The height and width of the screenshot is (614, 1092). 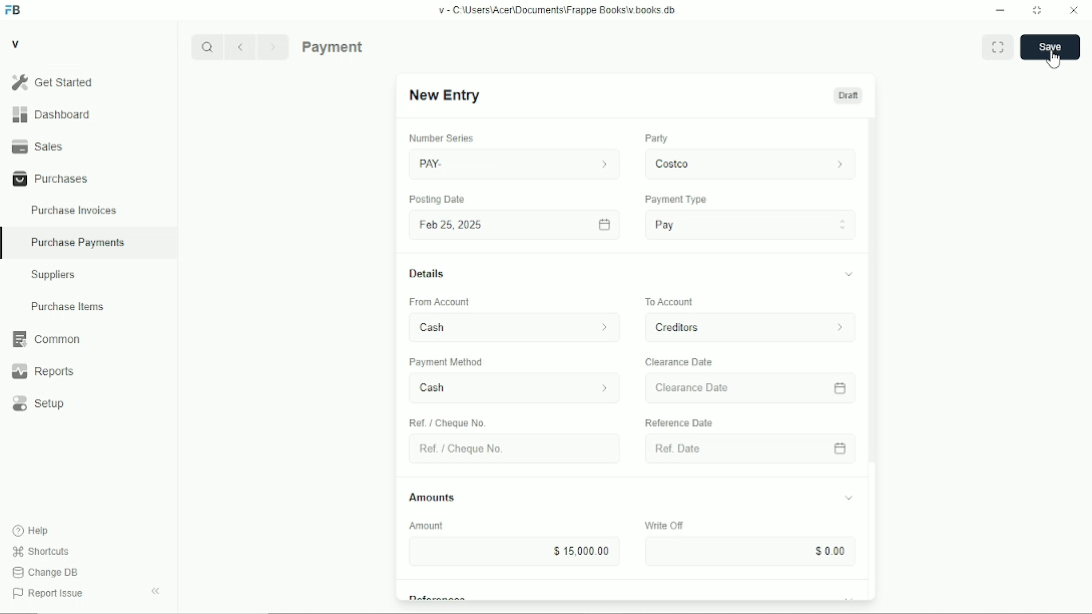 What do you see at coordinates (558, 10) in the screenshot?
I see `v= C Wsers\Acen\Documents\Frappe Books\v books db` at bounding box center [558, 10].